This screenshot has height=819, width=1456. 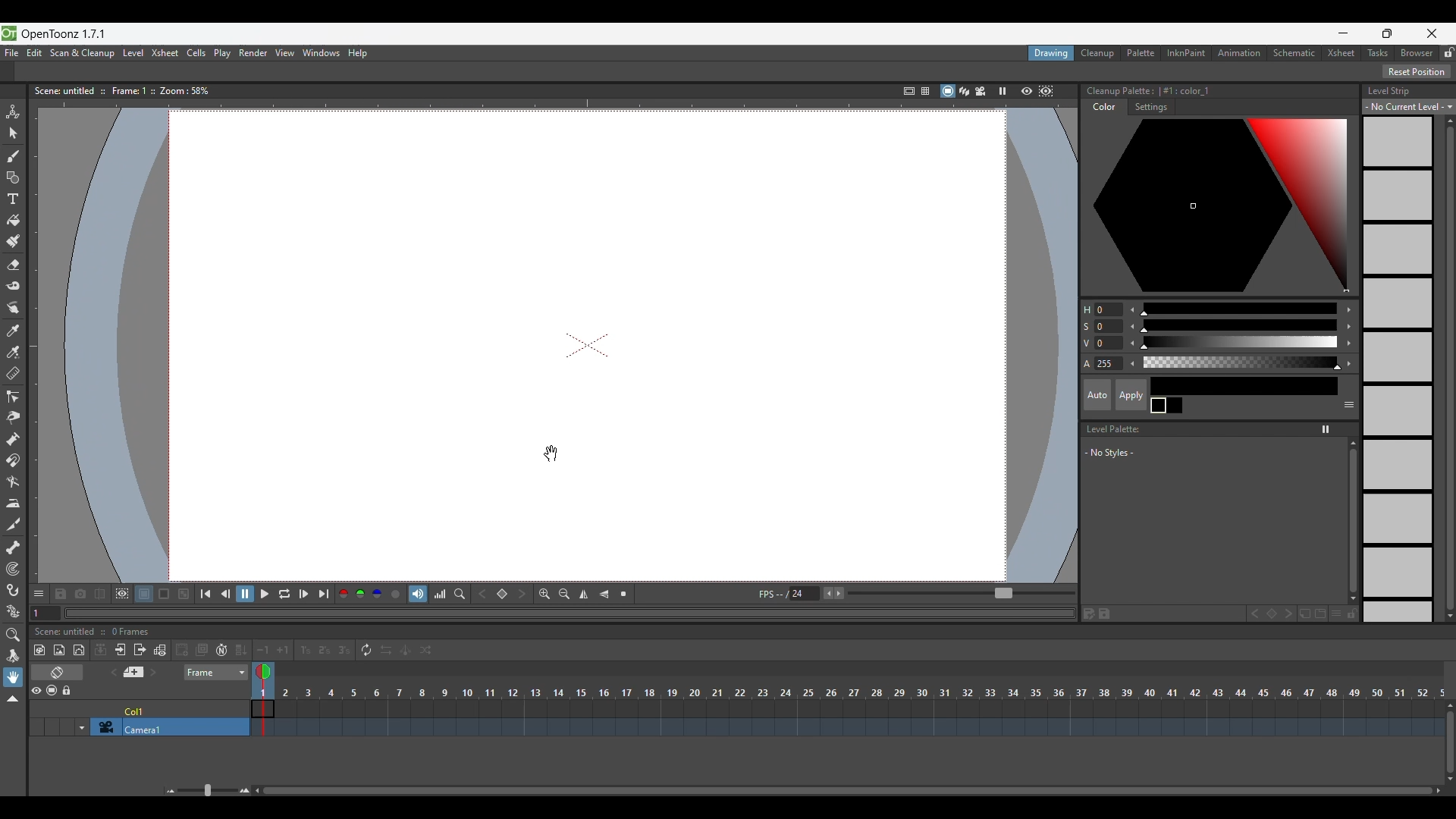 I want to click on Locator, so click(x=460, y=594).